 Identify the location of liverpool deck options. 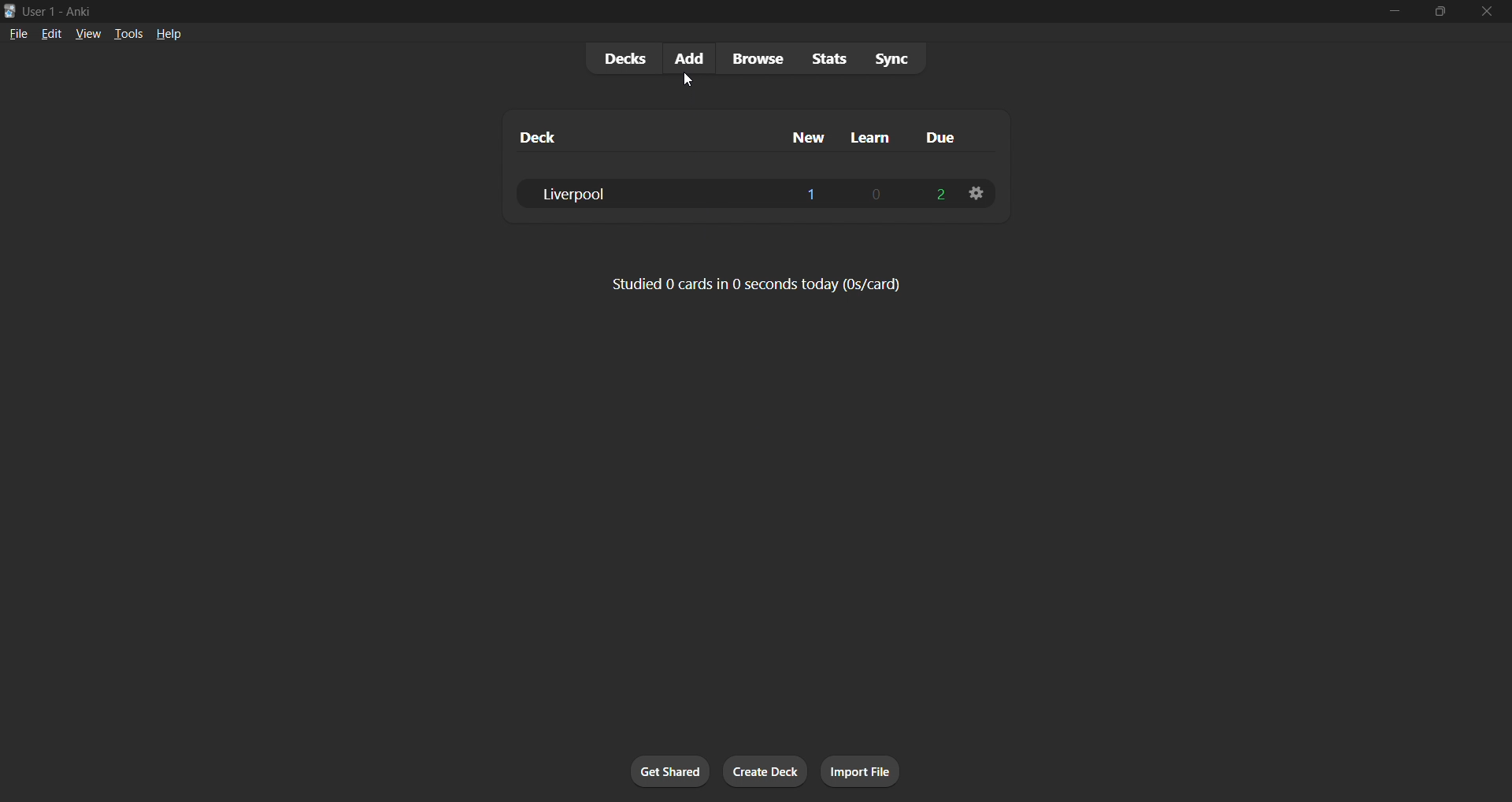
(977, 192).